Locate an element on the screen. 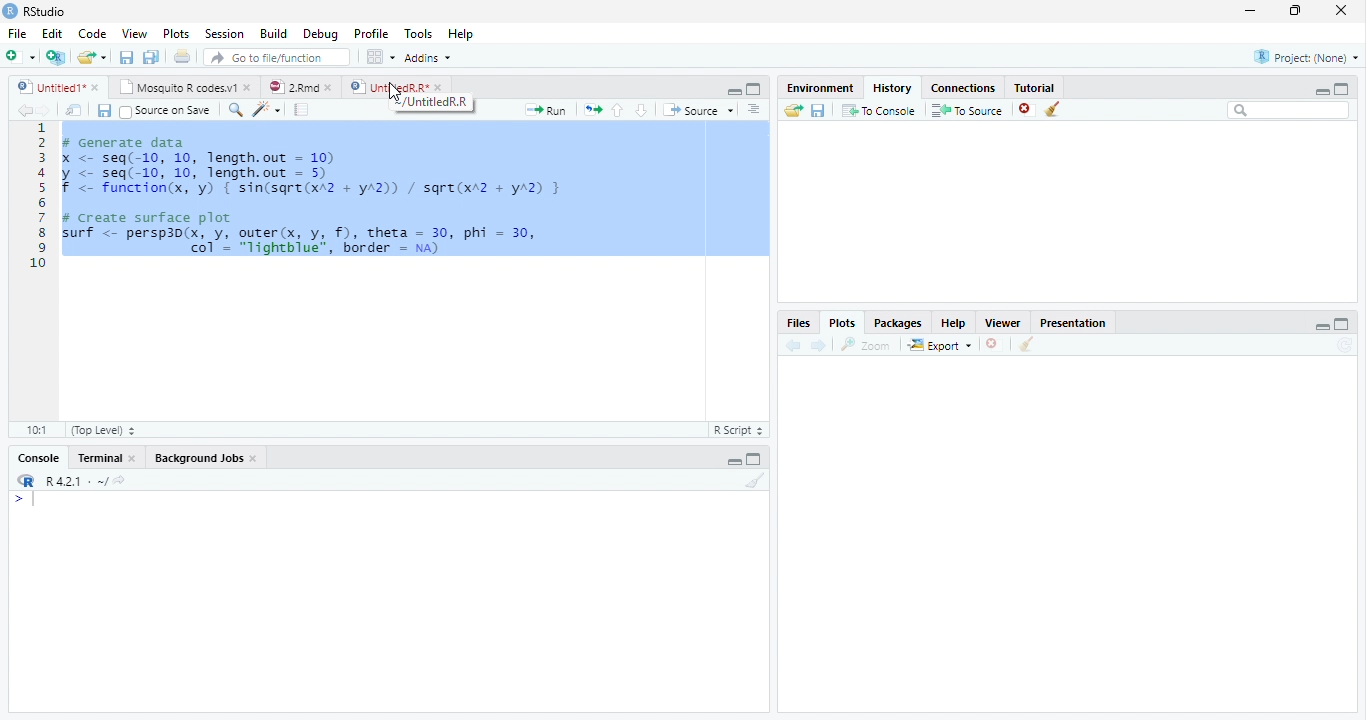 Image resolution: width=1366 pixels, height=720 pixels. Load history from an existing file is located at coordinates (792, 111).